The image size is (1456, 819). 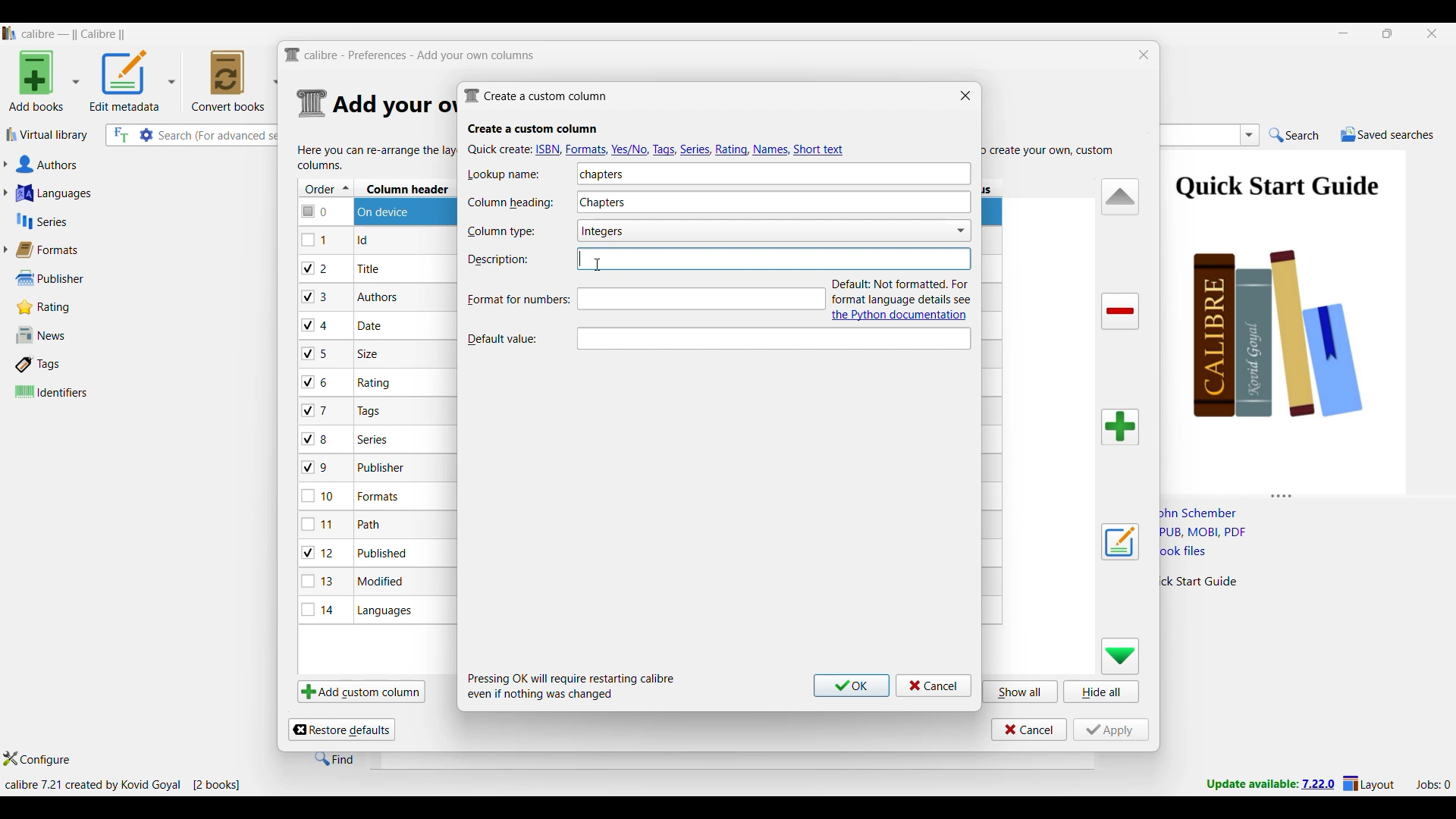 I want to click on Section details, so click(x=392, y=105).